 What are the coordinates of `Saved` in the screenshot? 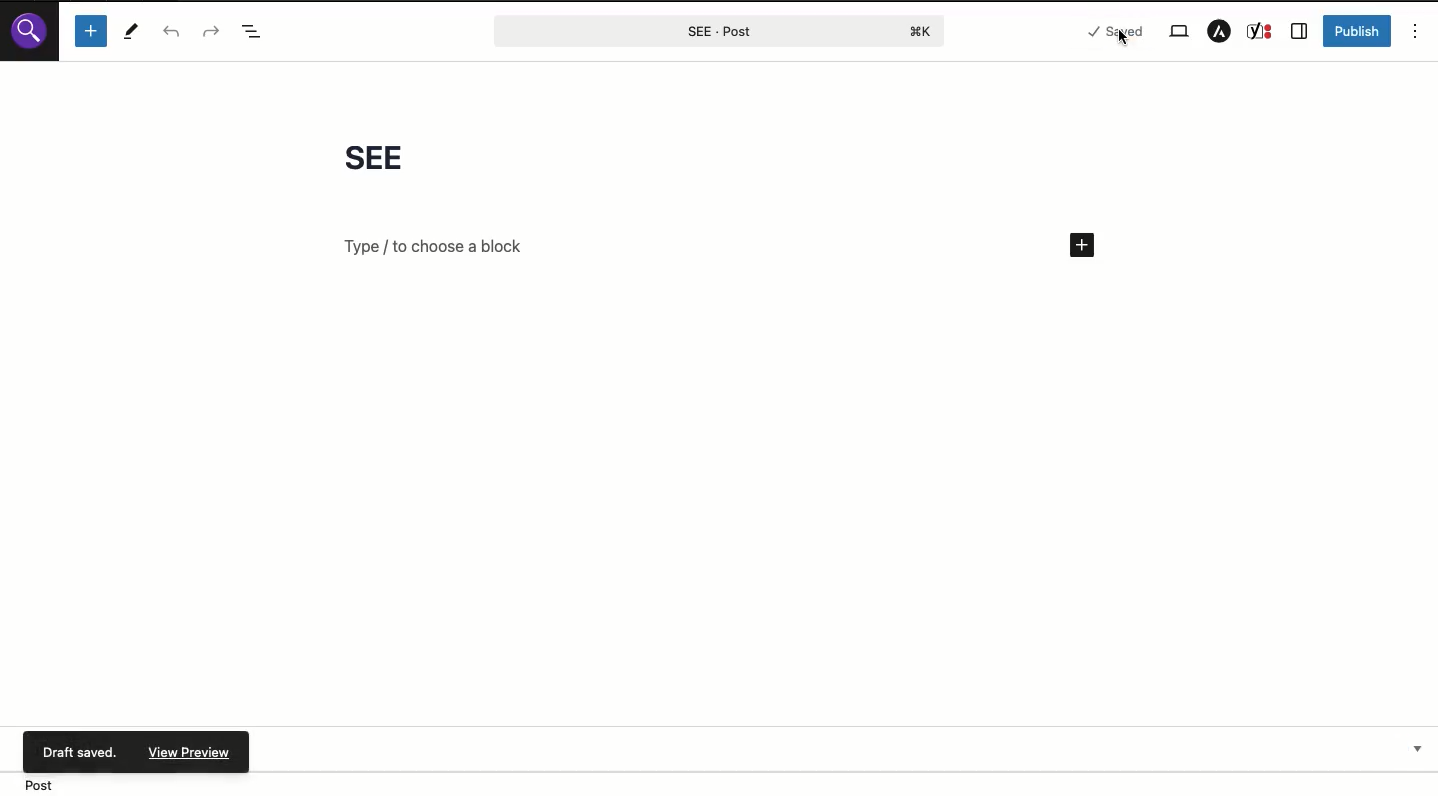 It's located at (1104, 35).